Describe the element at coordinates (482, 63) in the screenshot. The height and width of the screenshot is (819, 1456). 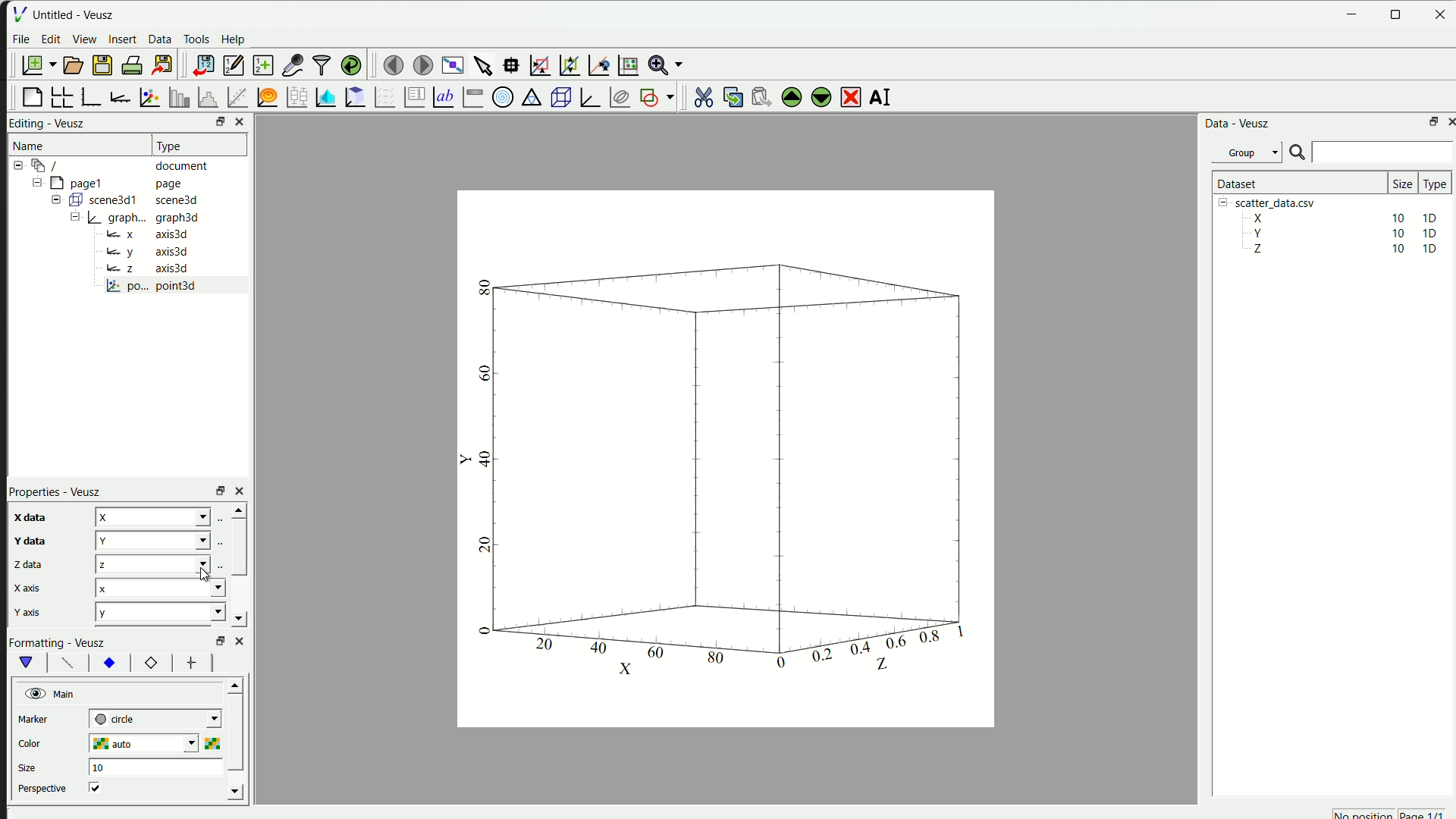
I see `select items from graph` at that location.